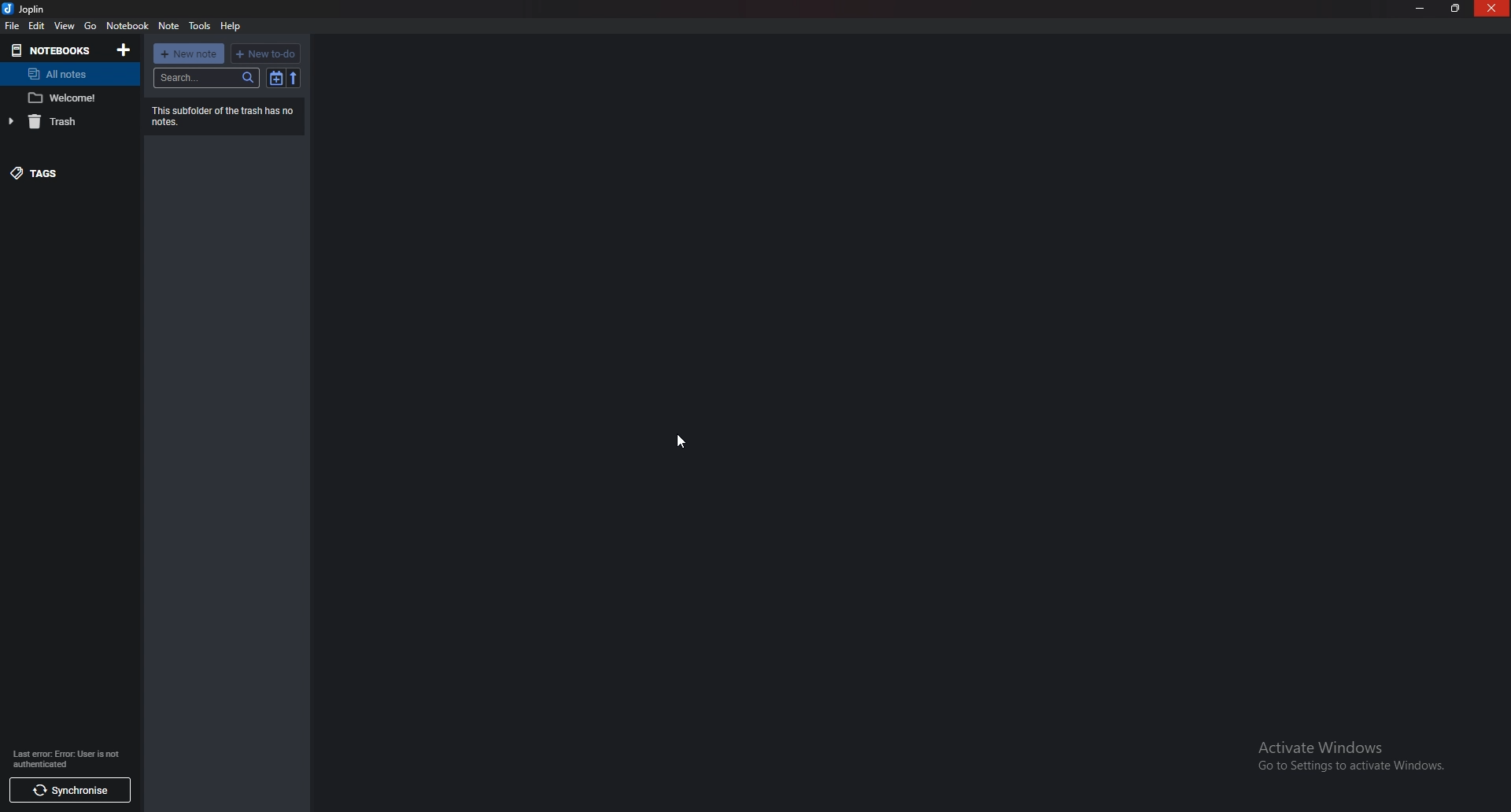  Describe the element at coordinates (220, 115) in the screenshot. I see `Info` at that location.